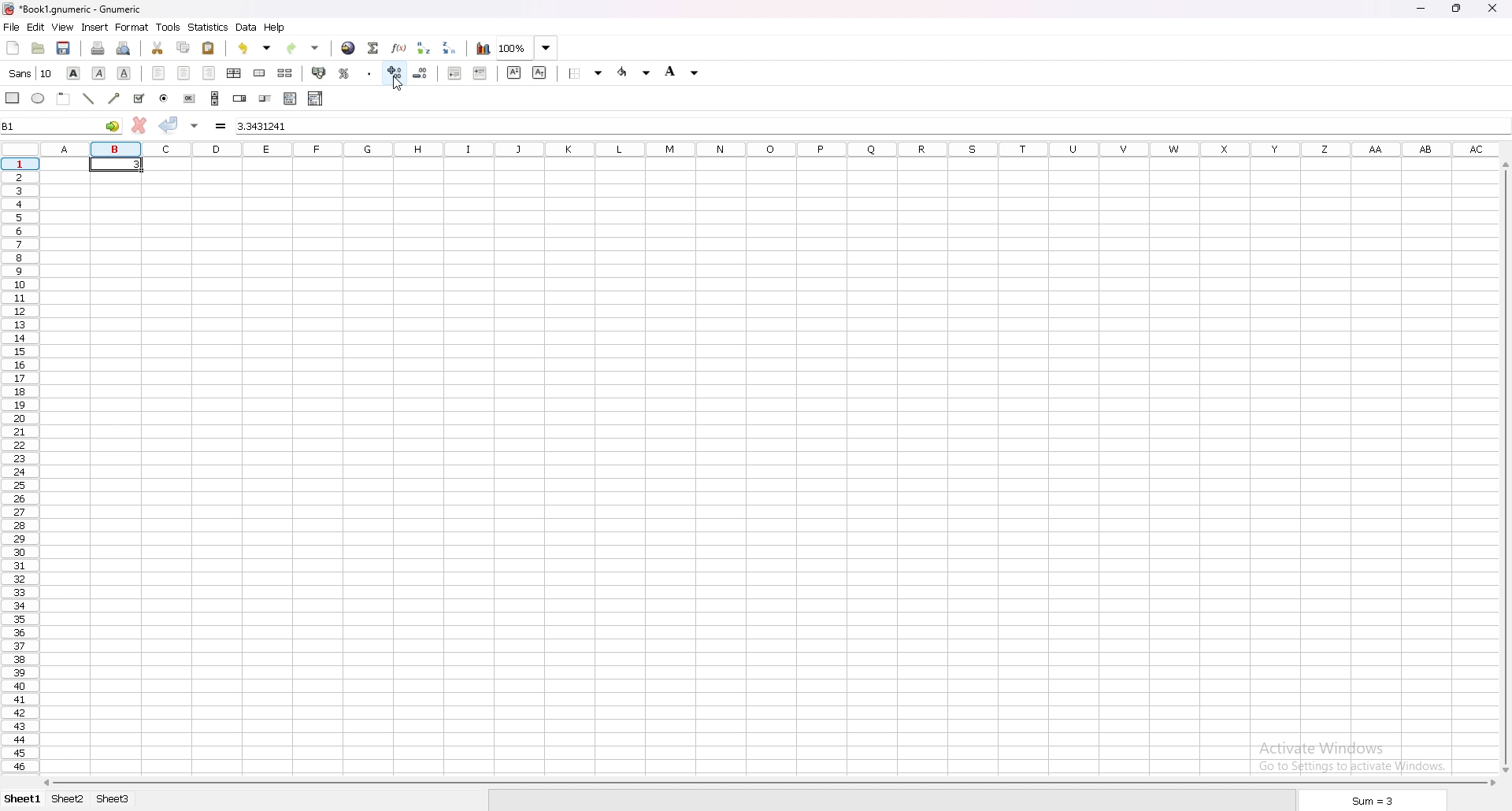 Image resolution: width=1512 pixels, height=811 pixels. I want to click on centre horizontally, so click(235, 72).